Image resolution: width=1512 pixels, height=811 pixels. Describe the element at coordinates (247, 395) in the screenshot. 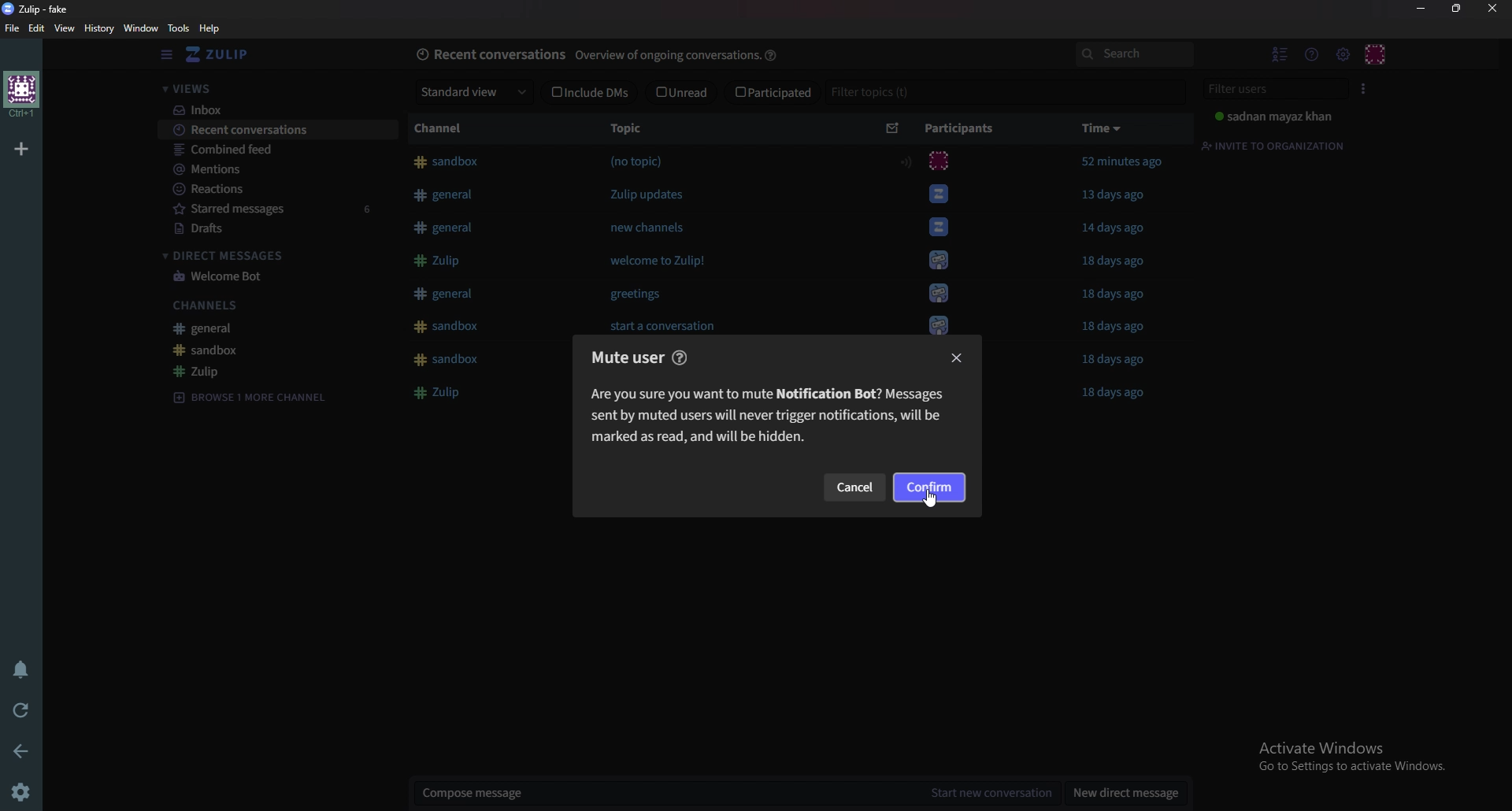

I see `Browse channel` at that location.